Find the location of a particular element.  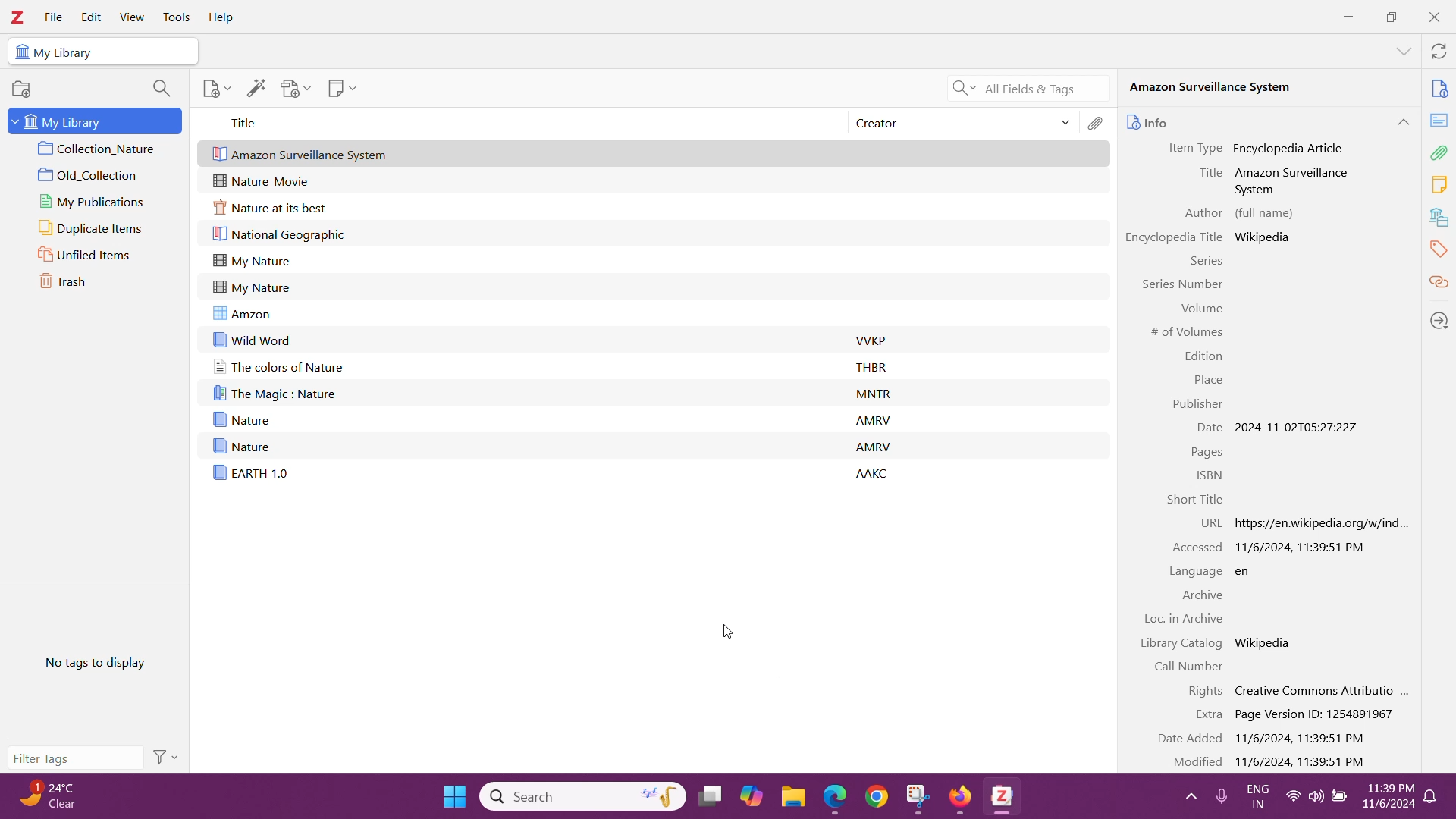

AAKC is located at coordinates (874, 472).